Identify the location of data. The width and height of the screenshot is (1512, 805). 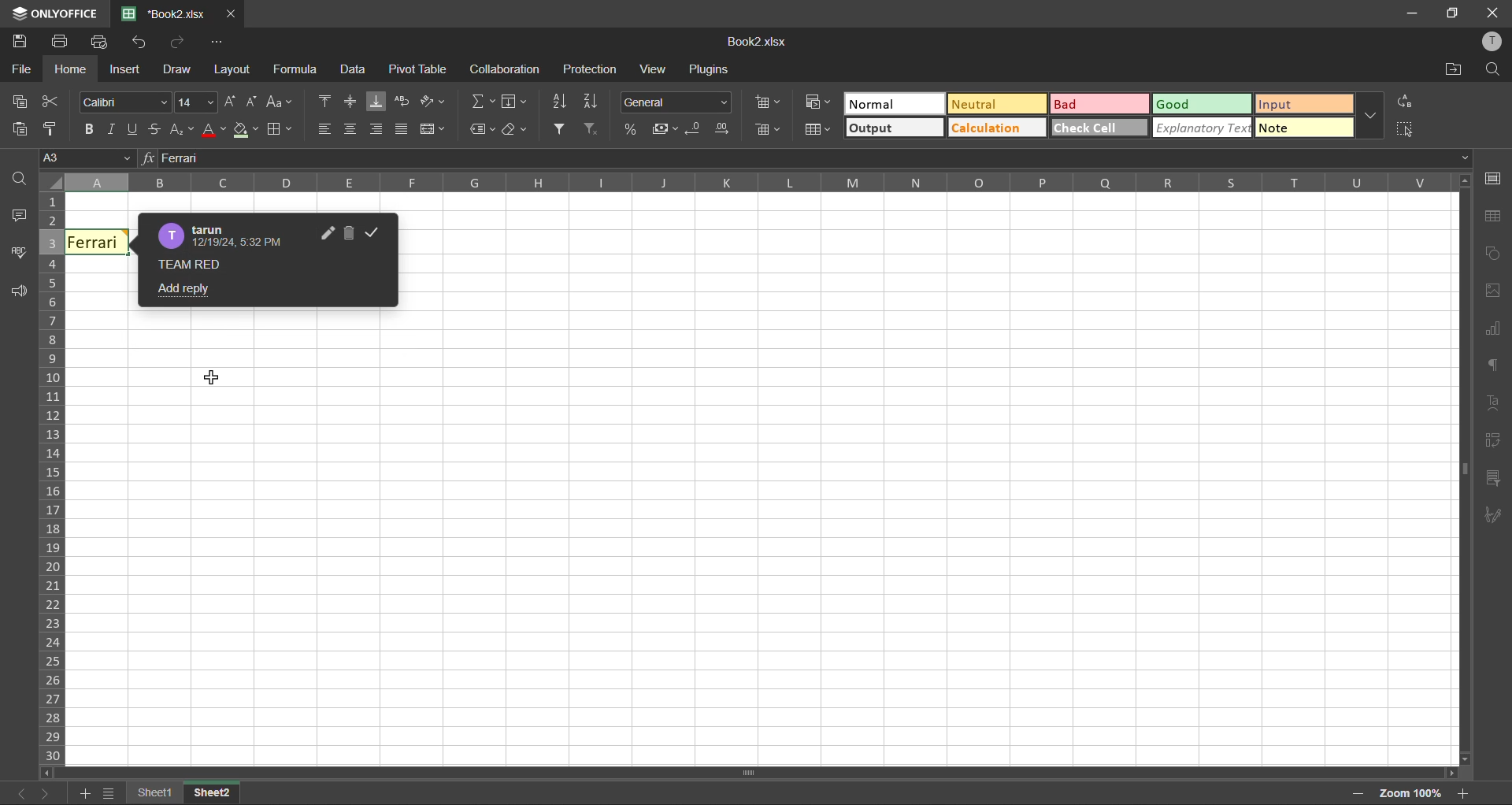
(352, 72).